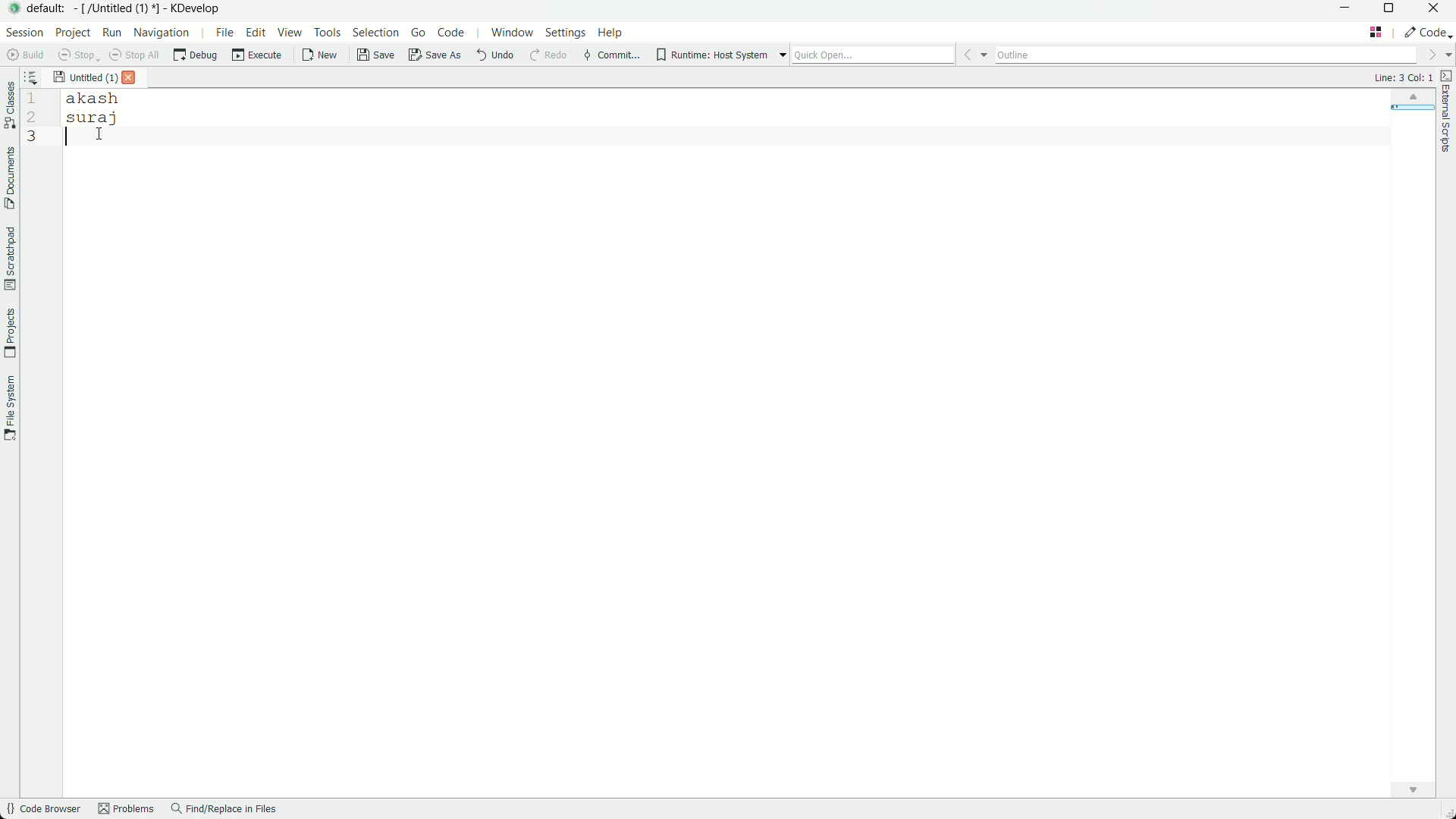 This screenshot has height=819, width=1456. I want to click on outline, so click(1223, 54).